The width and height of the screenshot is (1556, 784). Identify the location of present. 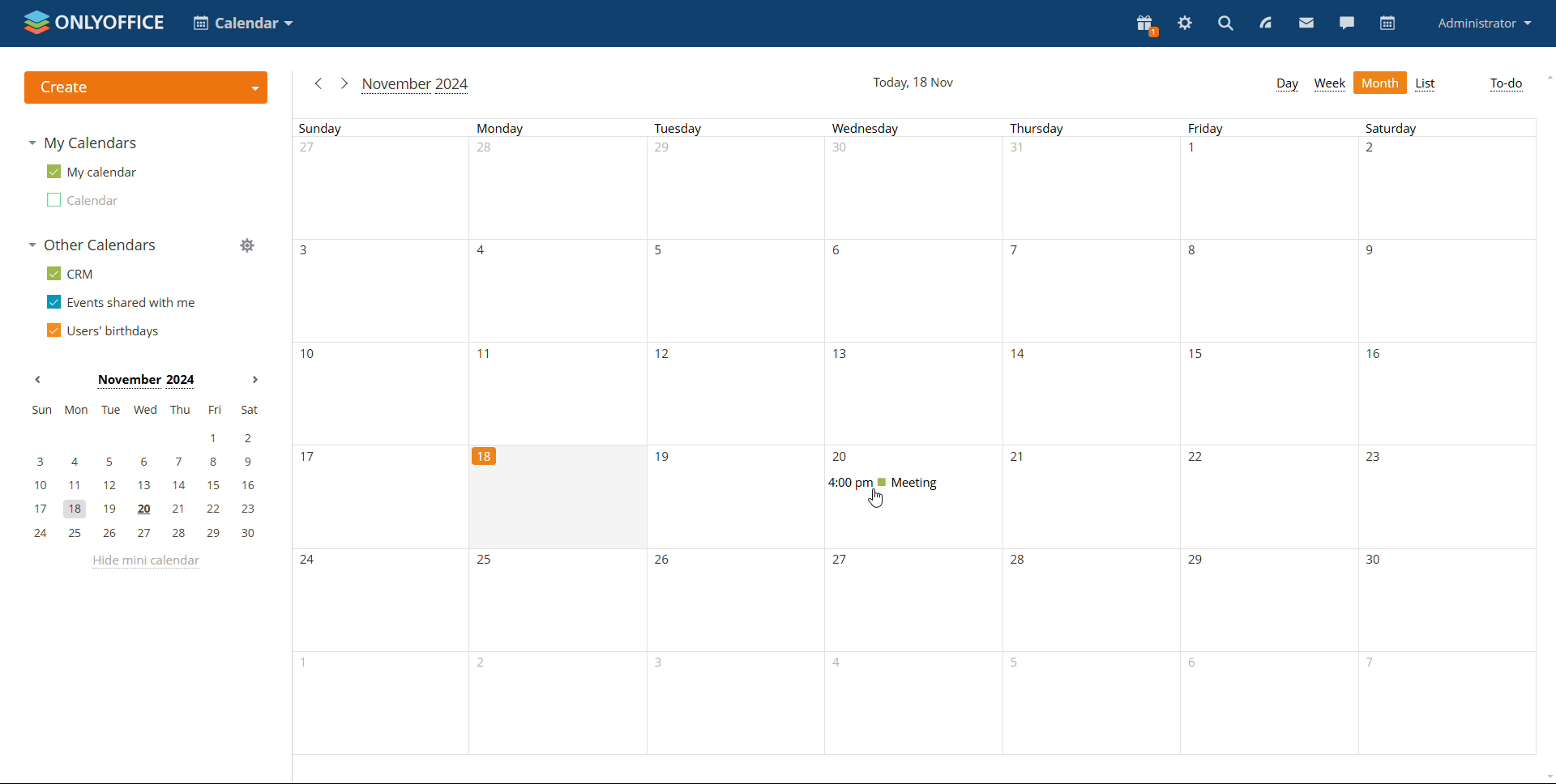
(1148, 24).